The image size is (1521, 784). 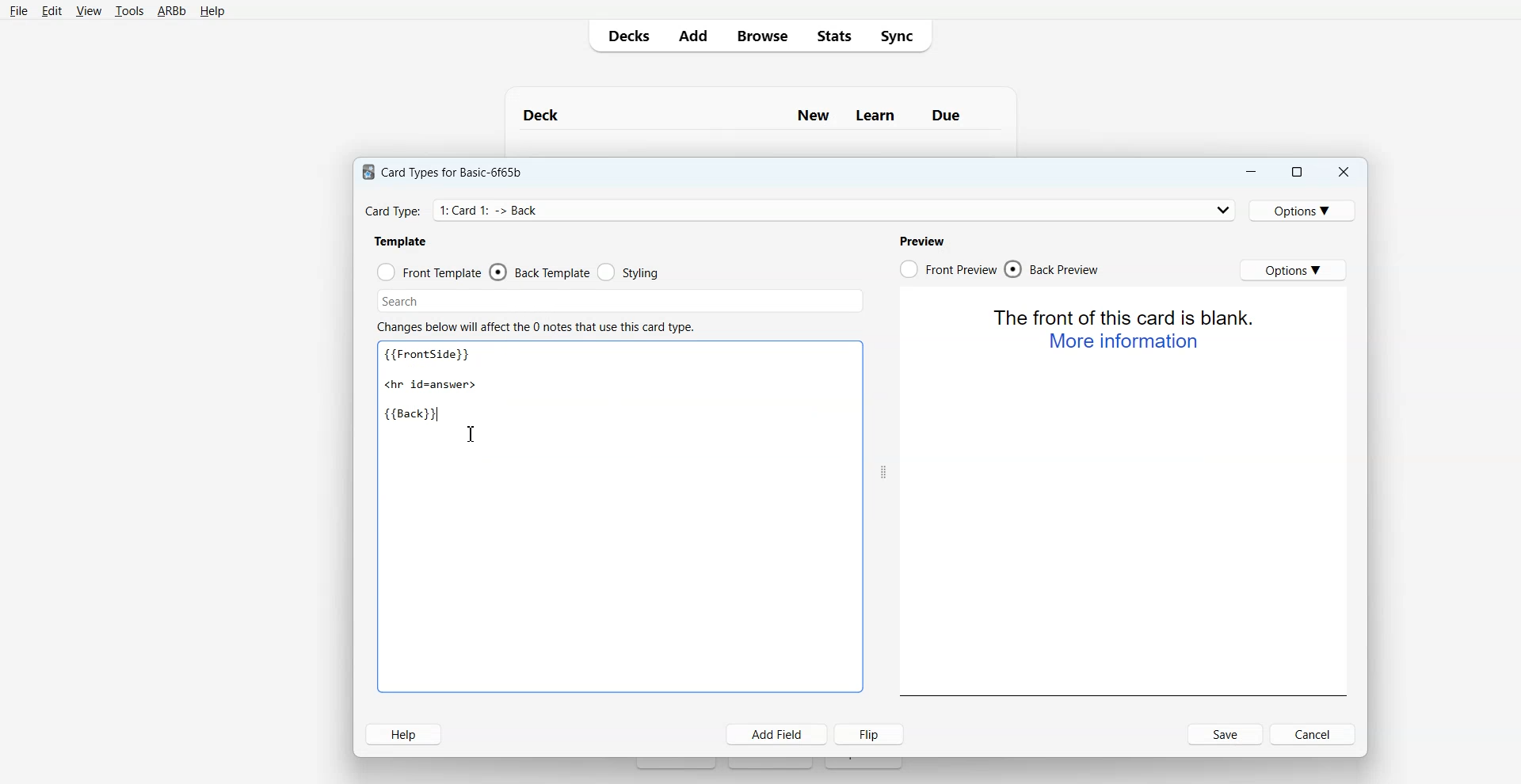 I want to click on Cancel, so click(x=1313, y=734).